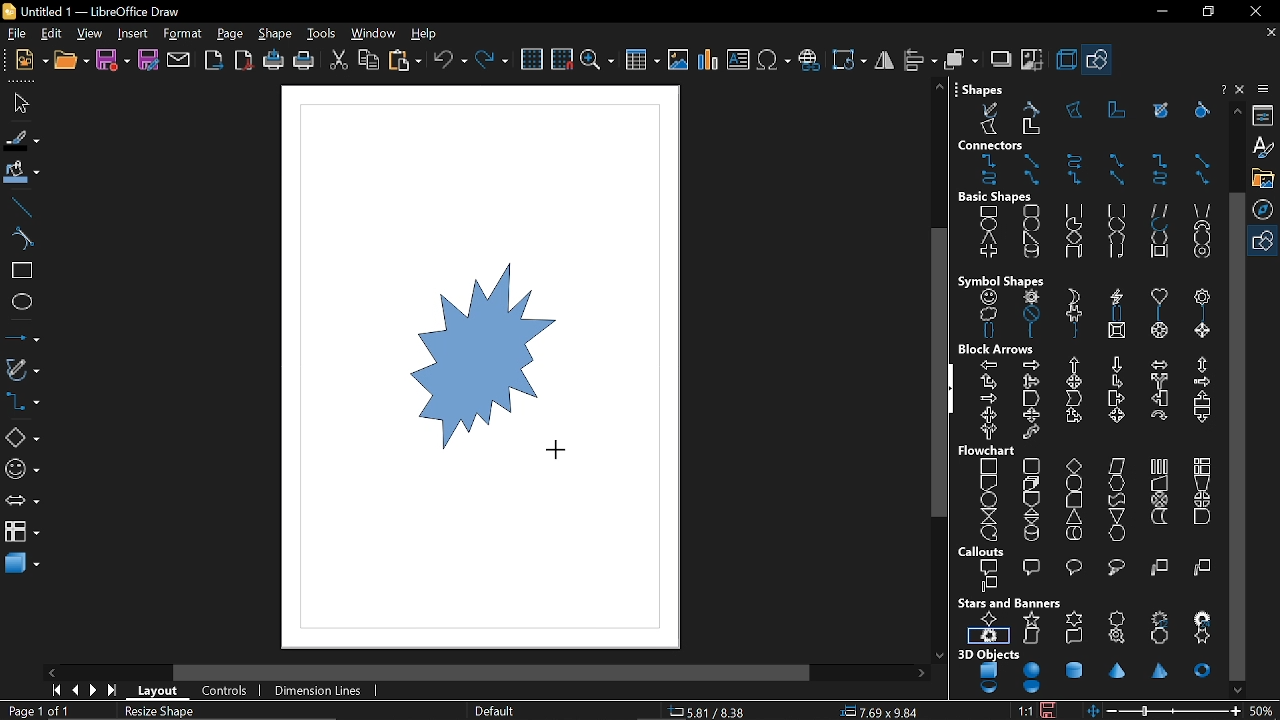 The height and width of the screenshot is (720, 1280). What do you see at coordinates (679, 60) in the screenshot?
I see `Insert image` at bounding box center [679, 60].